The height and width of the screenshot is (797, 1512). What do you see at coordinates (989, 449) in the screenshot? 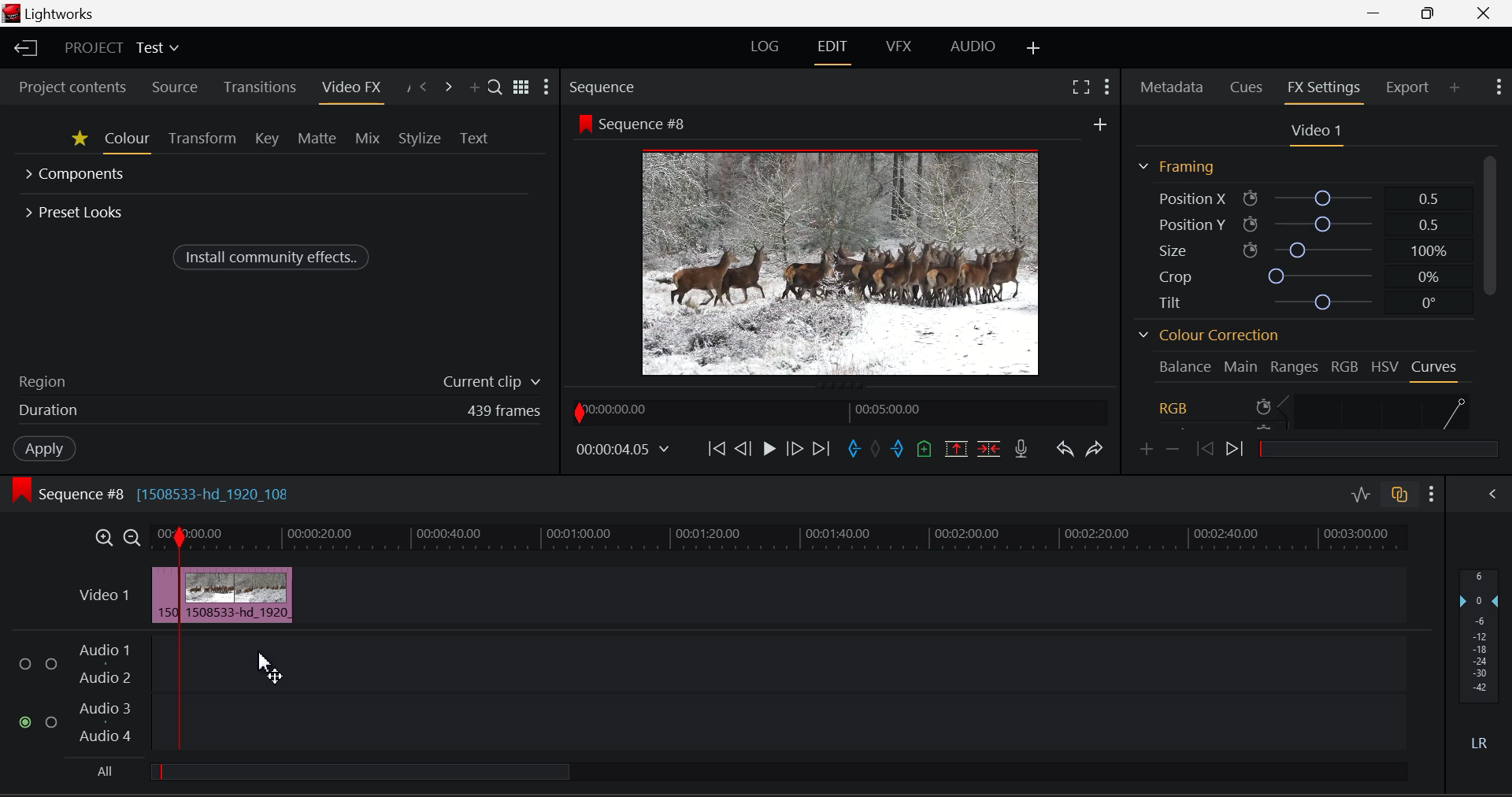
I see `Delete/Cut` at bounding box center [989, 449].